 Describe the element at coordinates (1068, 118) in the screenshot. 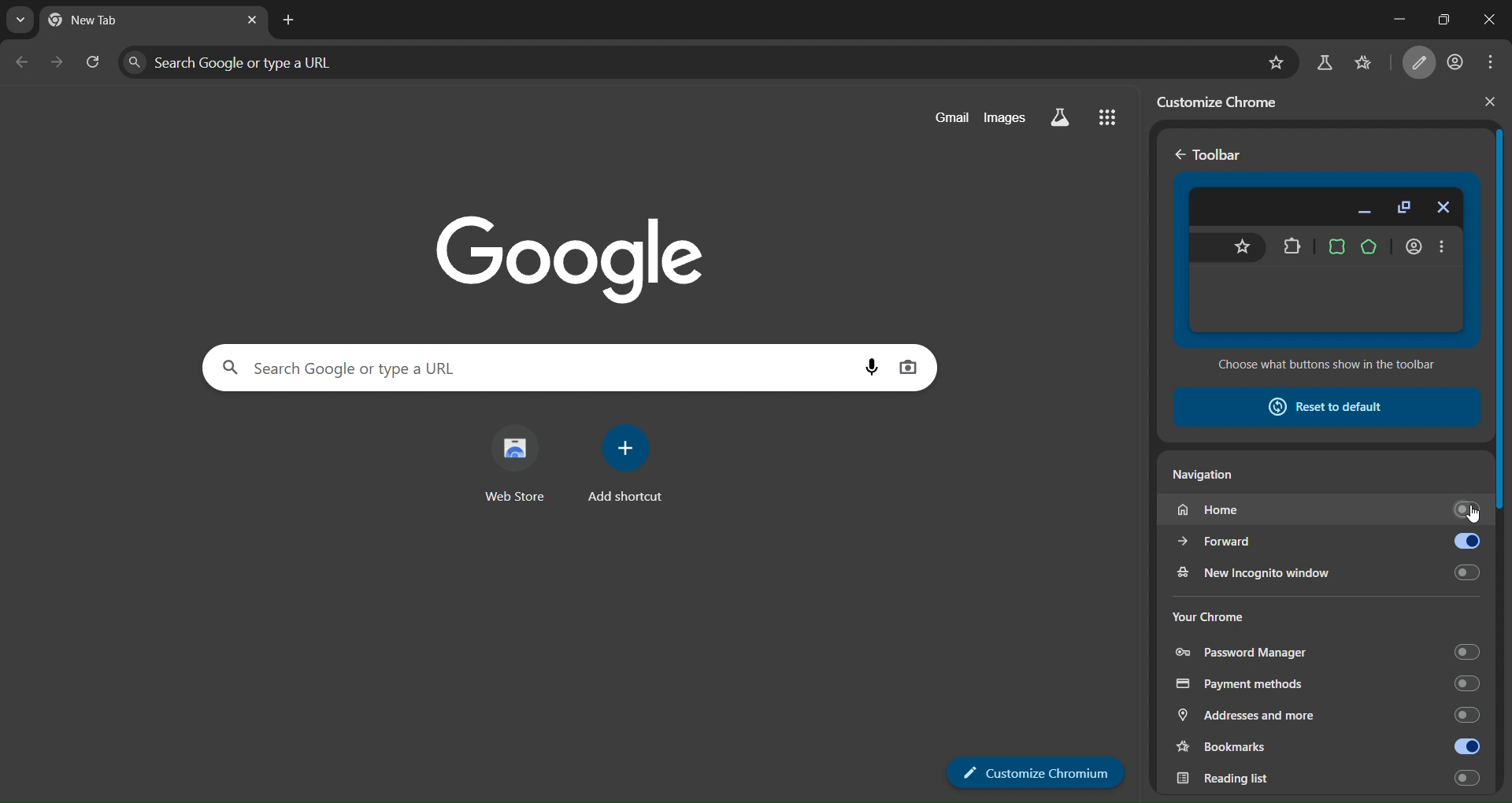

I see `search labs` at that location.